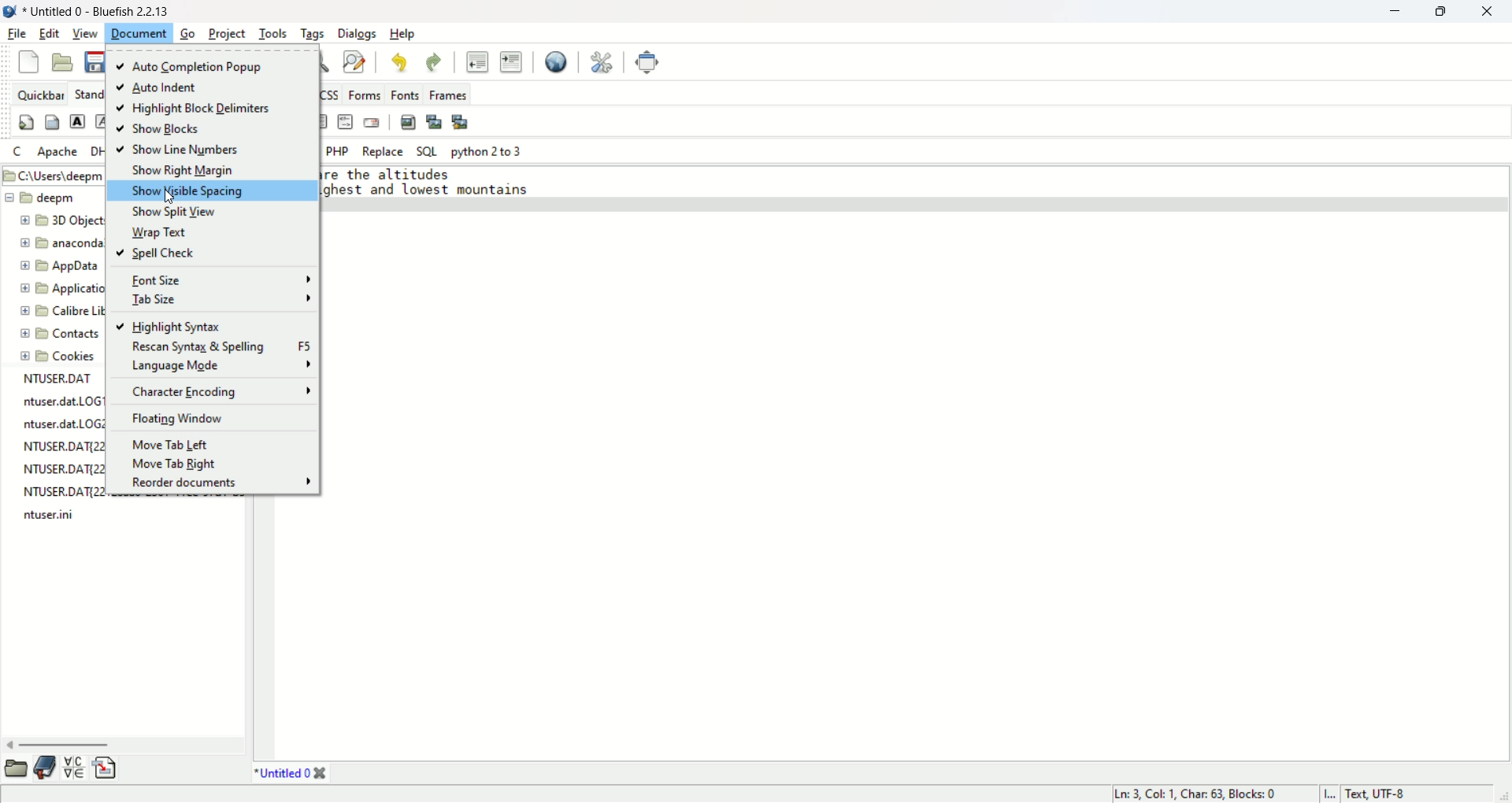  Describe the element at coordinates (511, 62) in the screenshot. I see `indent` at that location.